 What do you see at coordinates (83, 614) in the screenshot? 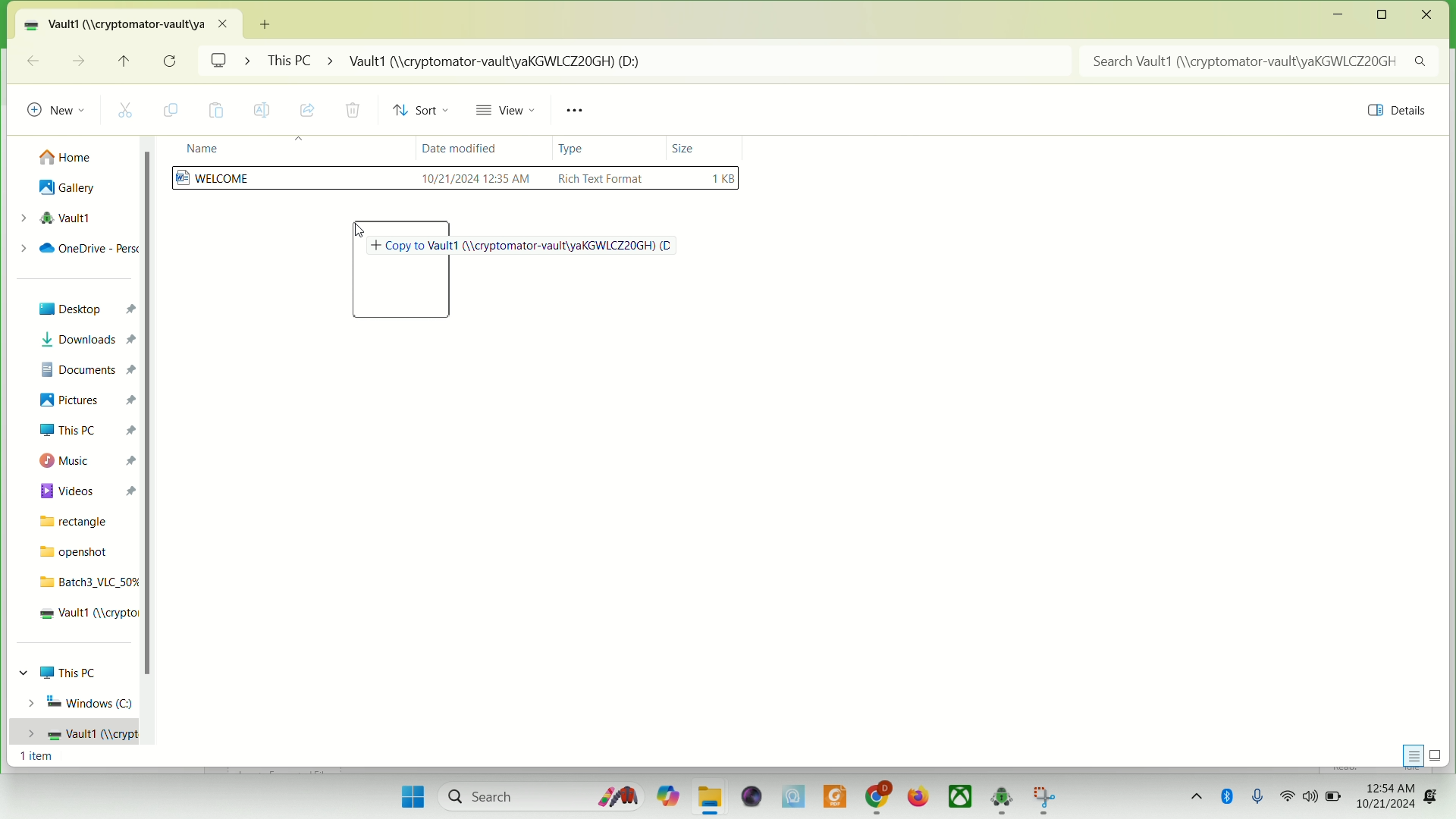
I see `vault1` at bounding box center [83, 614].